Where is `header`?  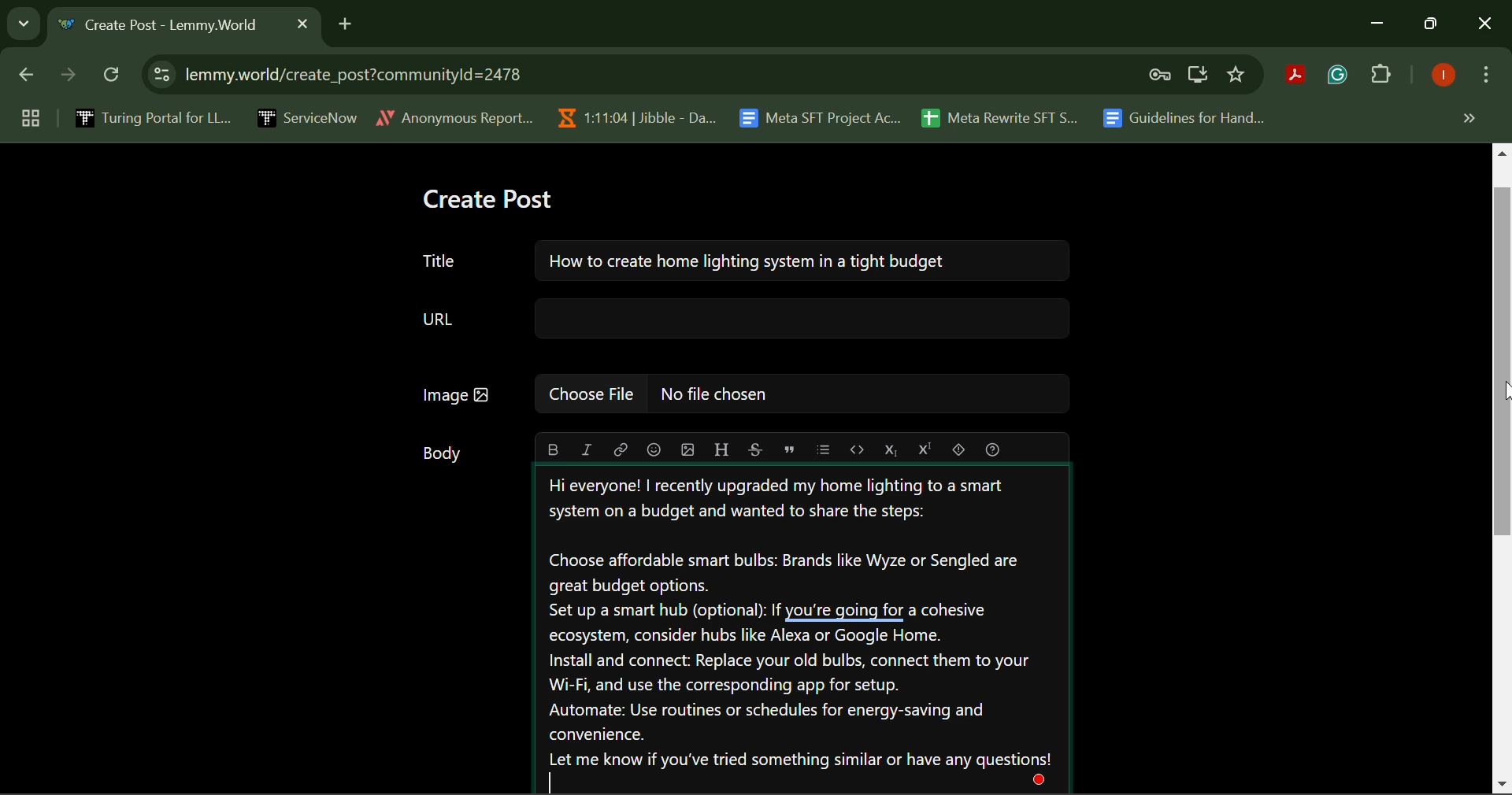
header is located at coordinates (719, 448).